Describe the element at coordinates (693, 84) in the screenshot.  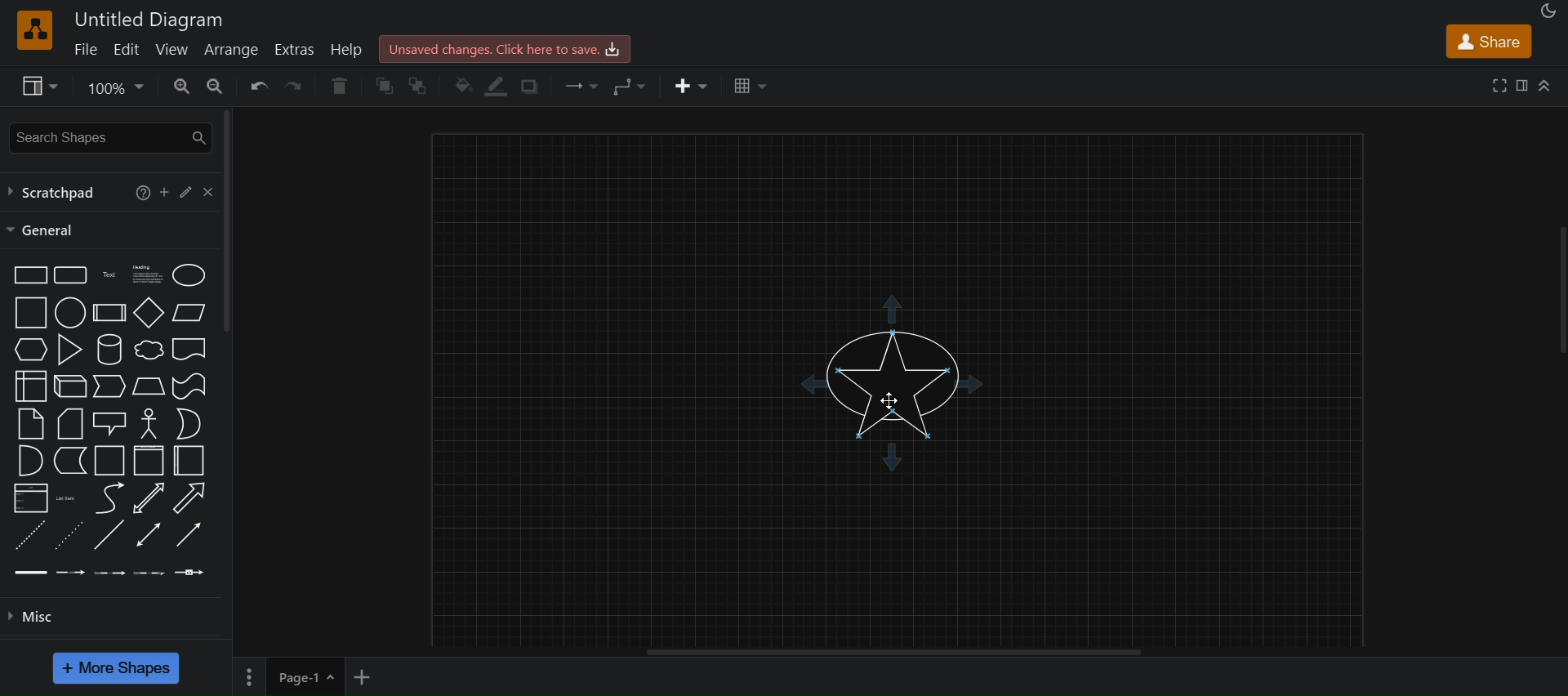
I see `insert` at that location.